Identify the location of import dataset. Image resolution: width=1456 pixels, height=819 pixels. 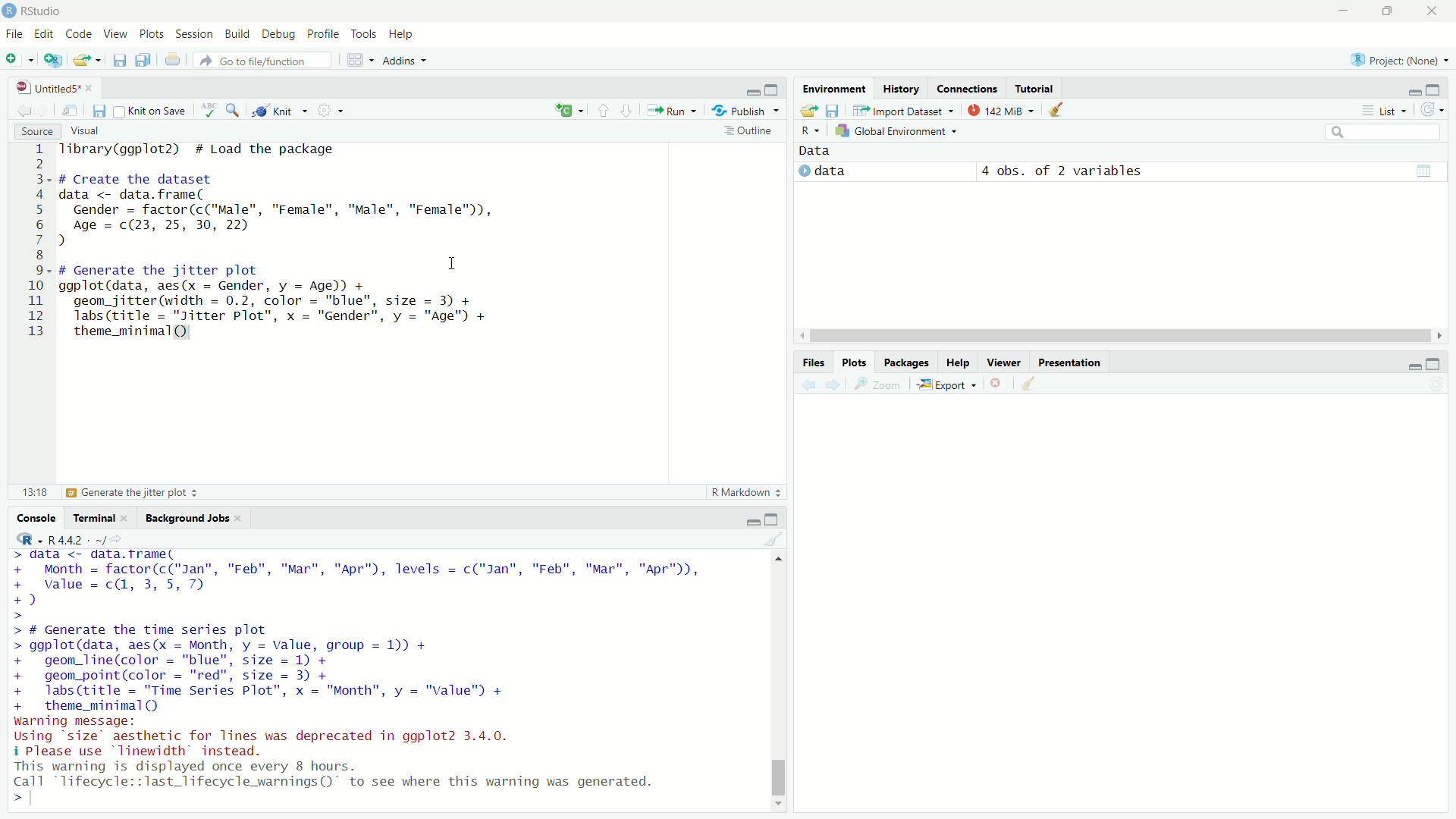
(903, 110).